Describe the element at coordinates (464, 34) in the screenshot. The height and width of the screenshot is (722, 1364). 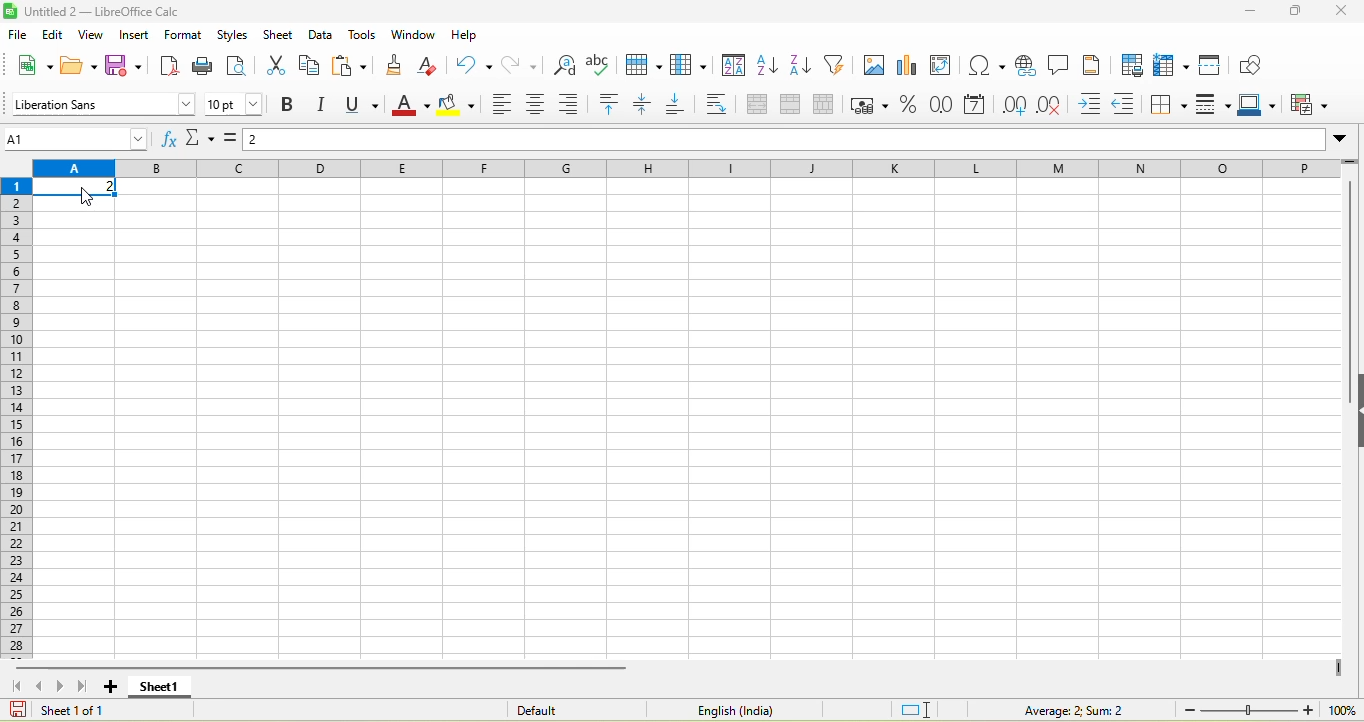
I see `help` at that location.